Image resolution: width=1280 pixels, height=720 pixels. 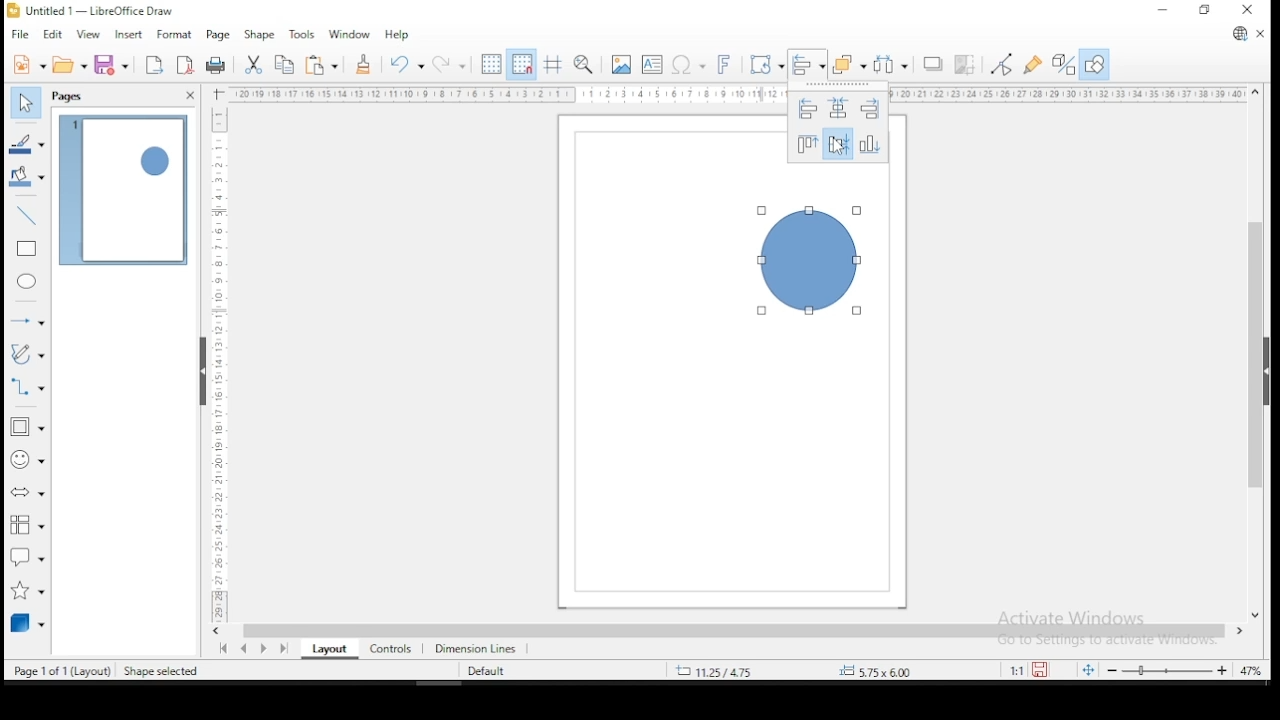 What do you see at coordinates (584, 64) in the screenshot?
I see `zoom and pan` at bounding box center [584, 64].